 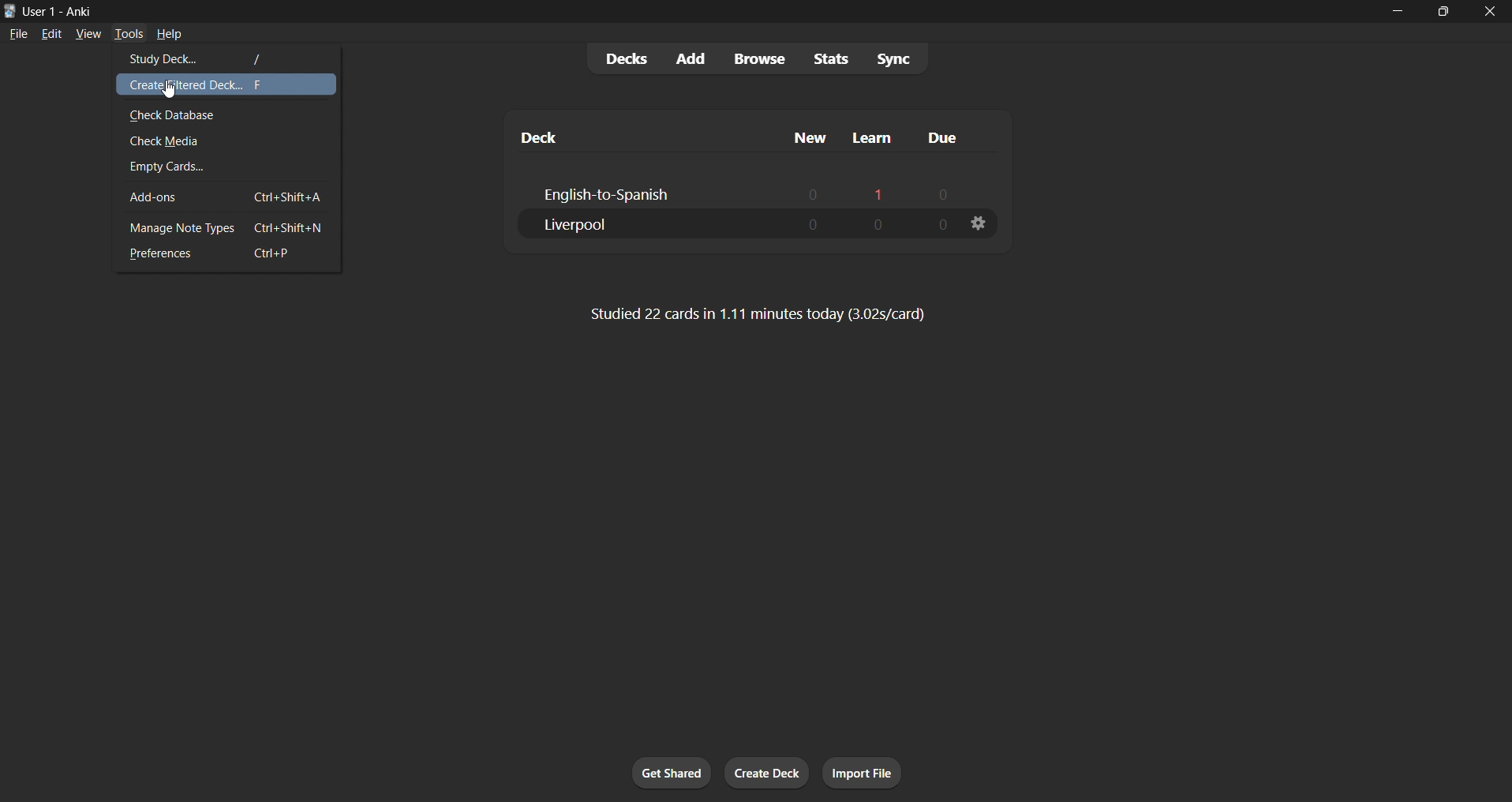 What do you see at coordinates (224, 196) in the screenshot?
I see `add-ons` at bounding box center [224, 196].